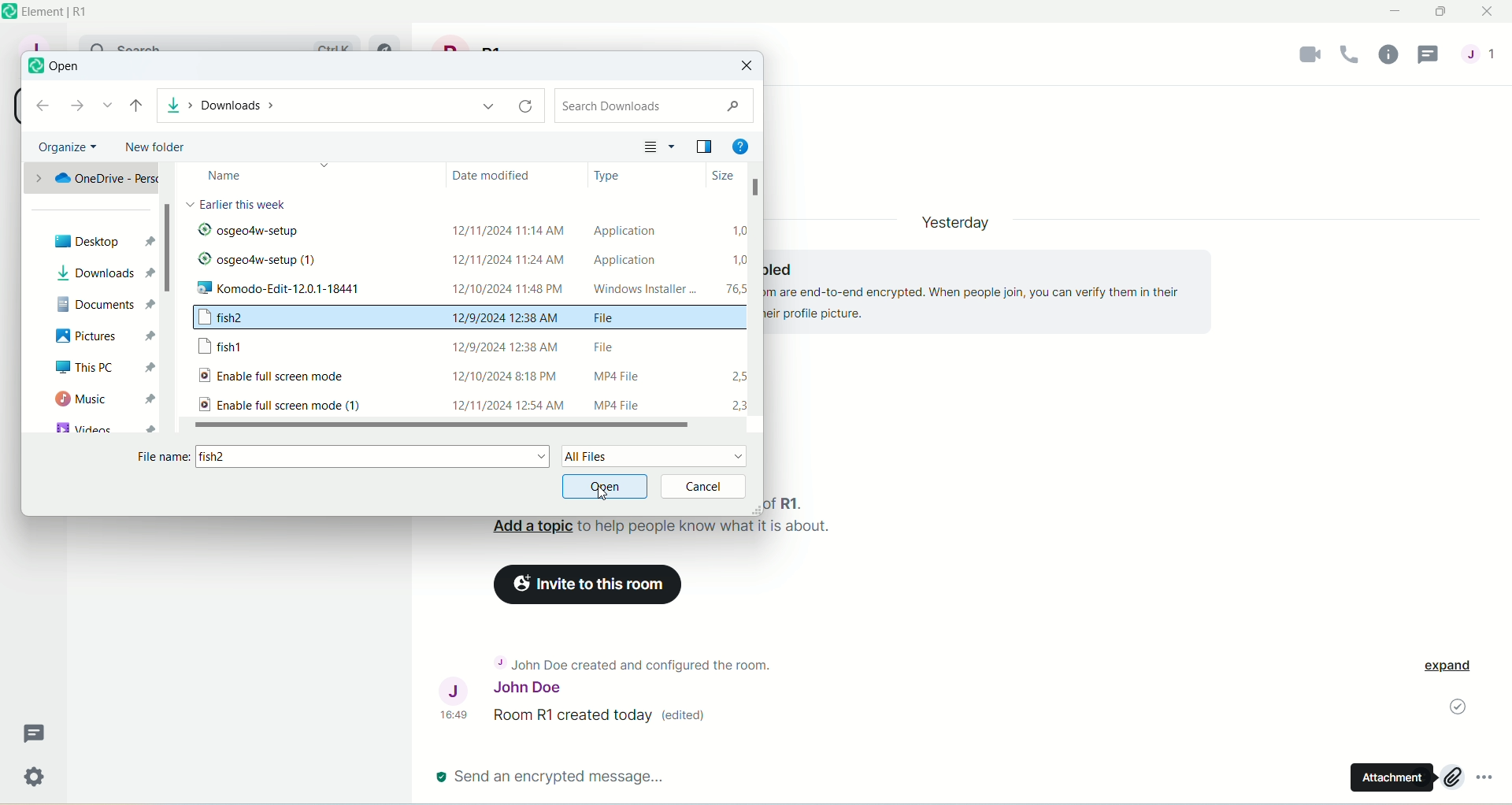 The height and width of the screenshot is (805, 1512). Describe the element at coordinates (1349, 56) in the screenshot. I see `voice call` at that location.